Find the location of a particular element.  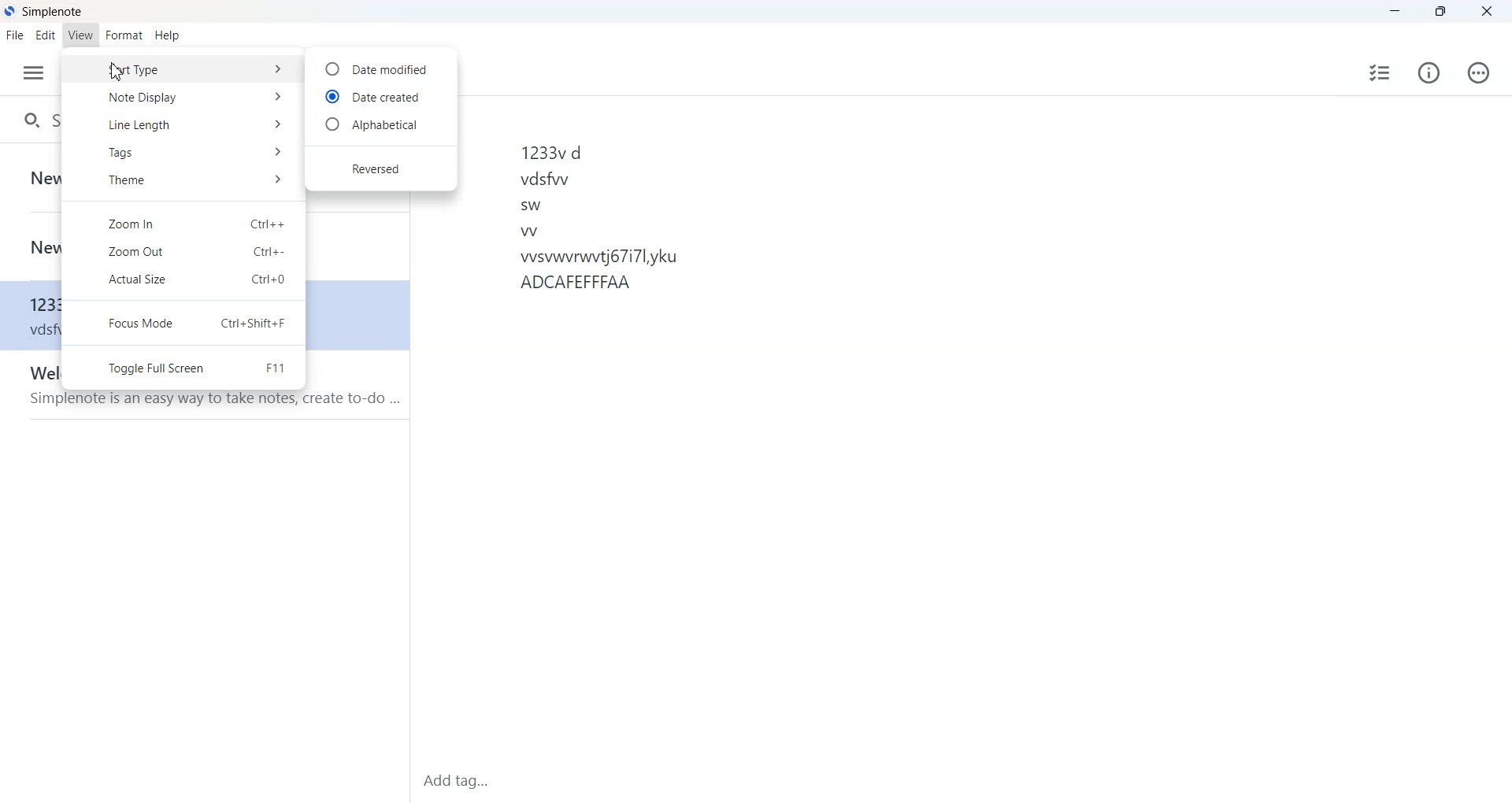

Help is located at coordinates (166, 35).